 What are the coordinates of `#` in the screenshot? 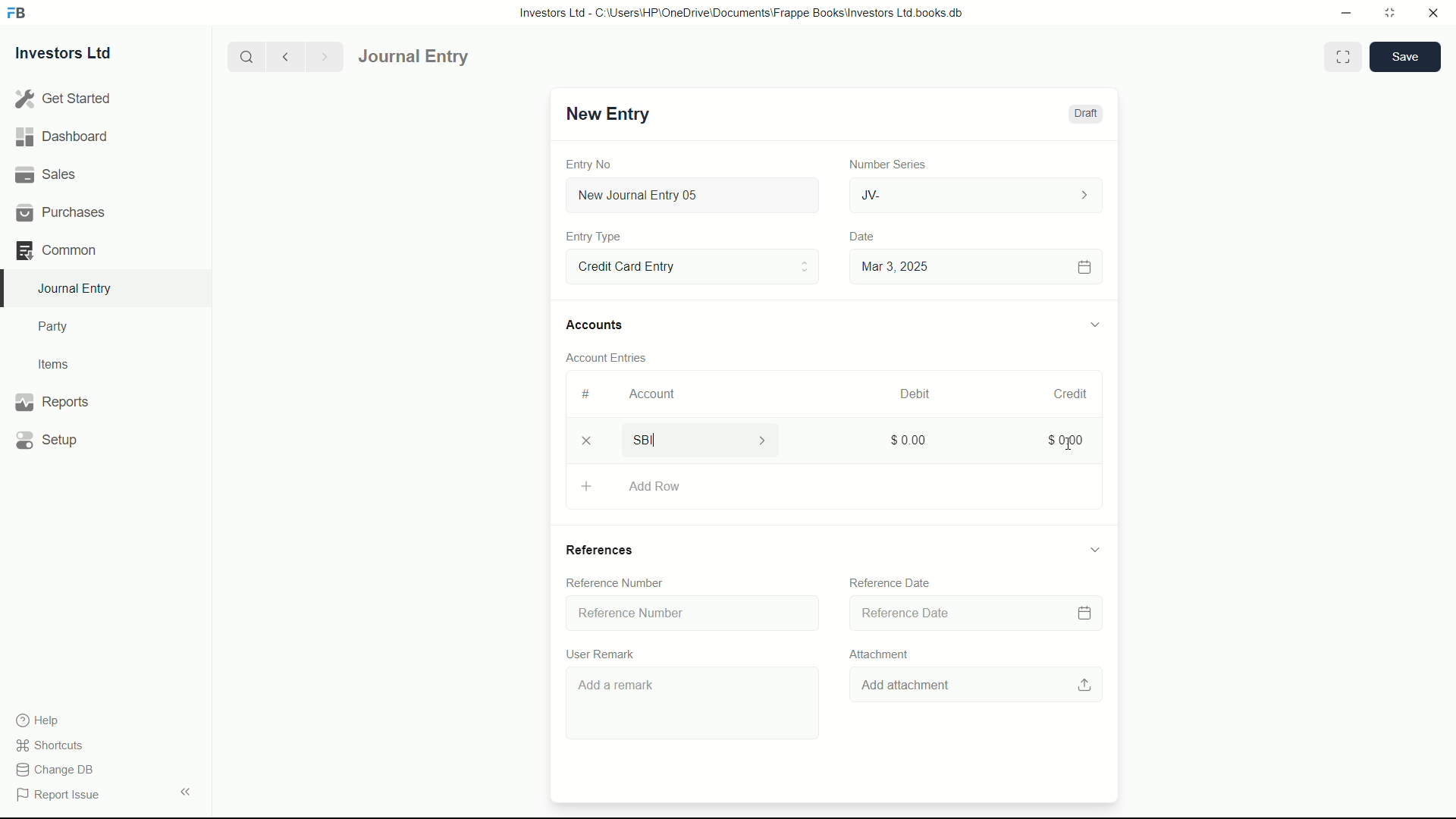 It's located at (587, 394).